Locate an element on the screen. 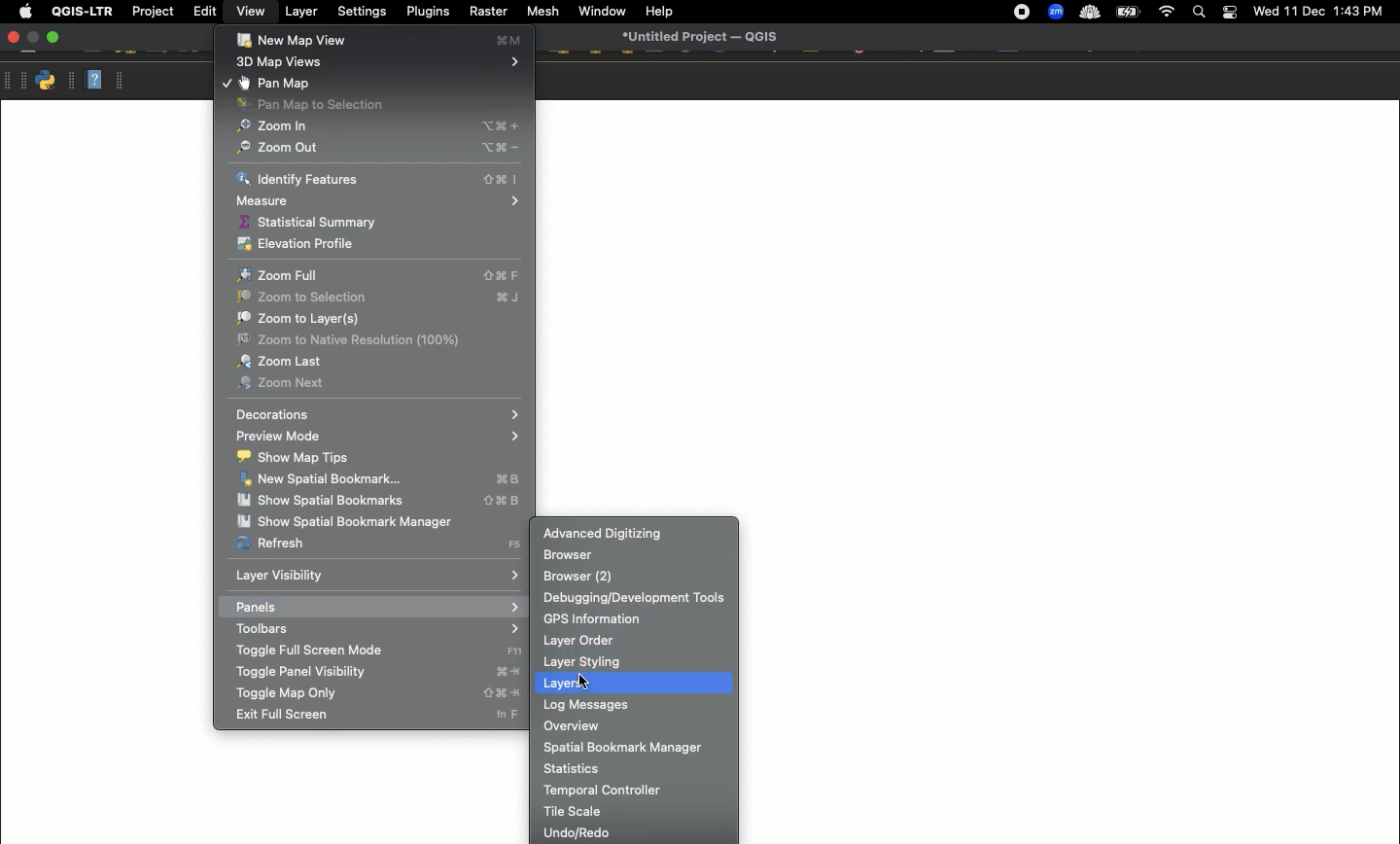 Image resolution: width=1400 pixels, height=844 pixels. Spatial bookmark manager  is located at coordinates (634, 747).